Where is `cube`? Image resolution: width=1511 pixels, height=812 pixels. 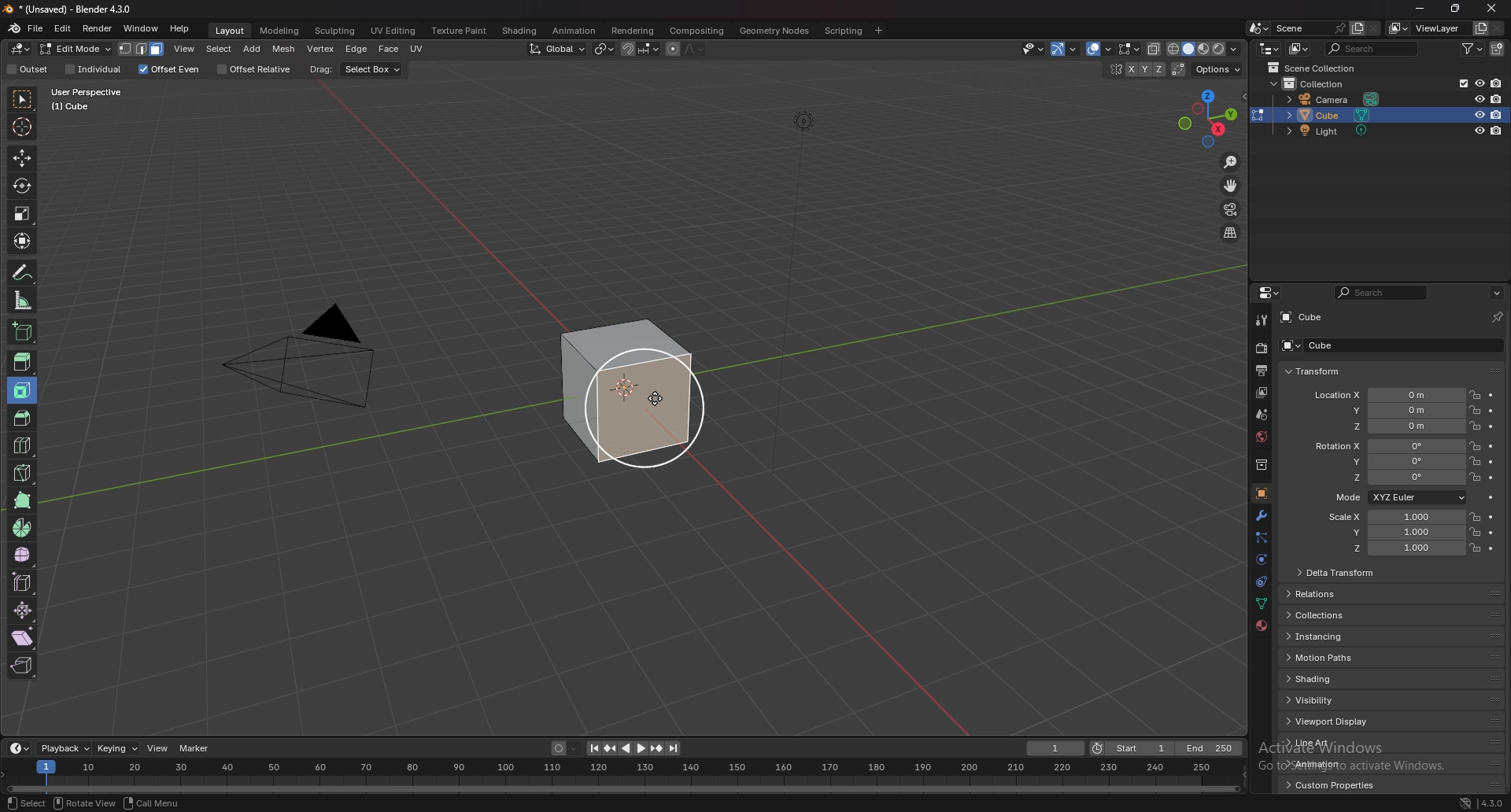 cube is located at coordinates (1304, 317).